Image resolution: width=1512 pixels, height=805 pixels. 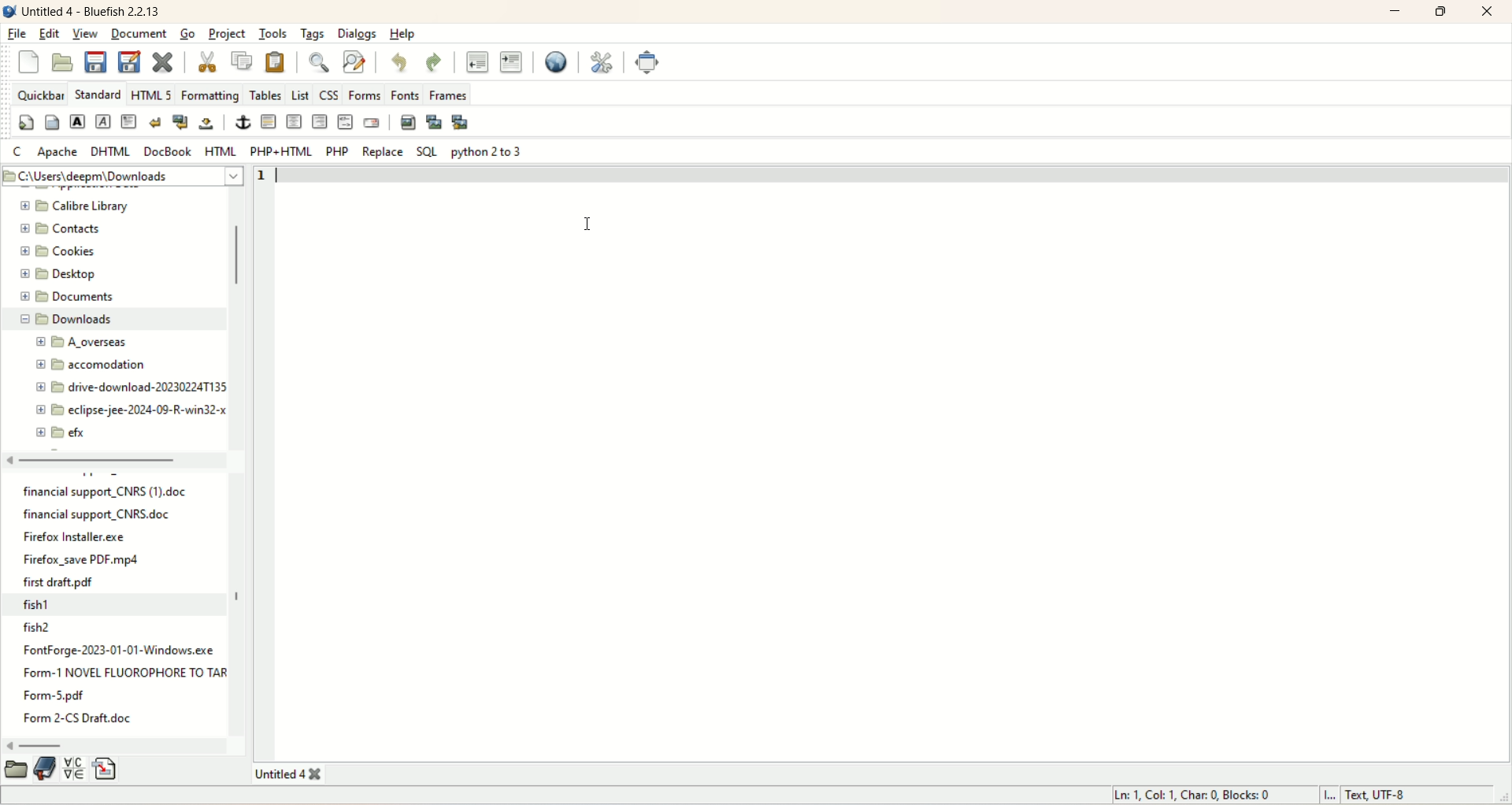 What do you see at coordinates (117, 688) in the screenshot?
I see `text` at bounding box center [117, 688].